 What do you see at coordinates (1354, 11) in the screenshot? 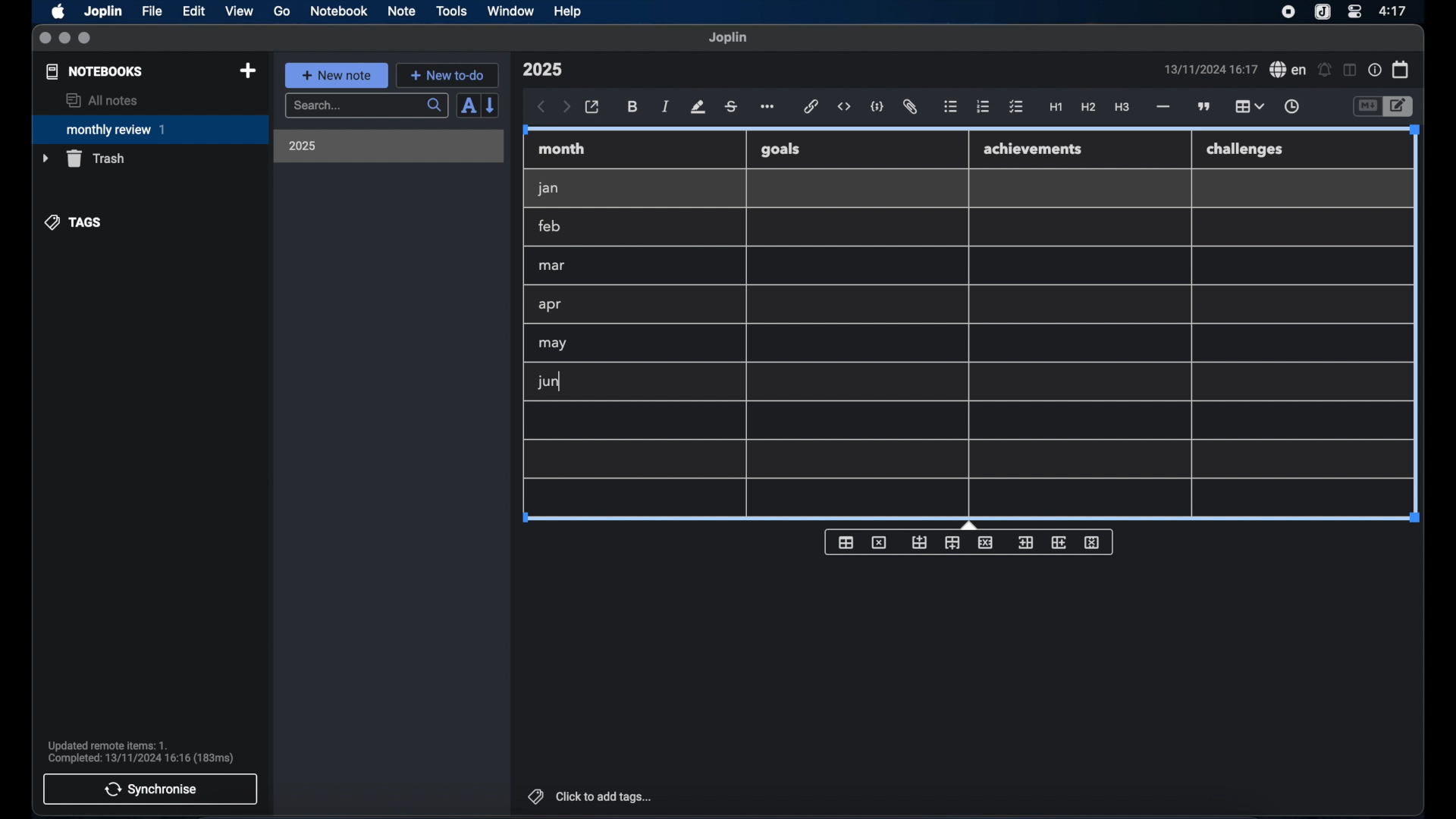
I see `control center` at bounding box center [1354, 11].